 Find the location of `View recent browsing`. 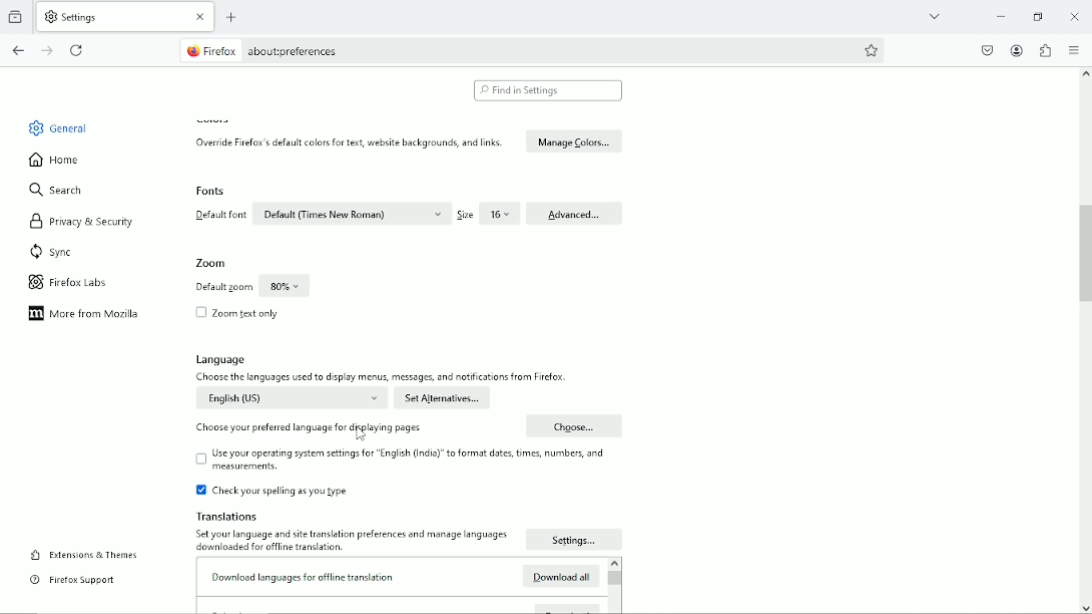

View recent browsing is located at coordinates (17, 15).